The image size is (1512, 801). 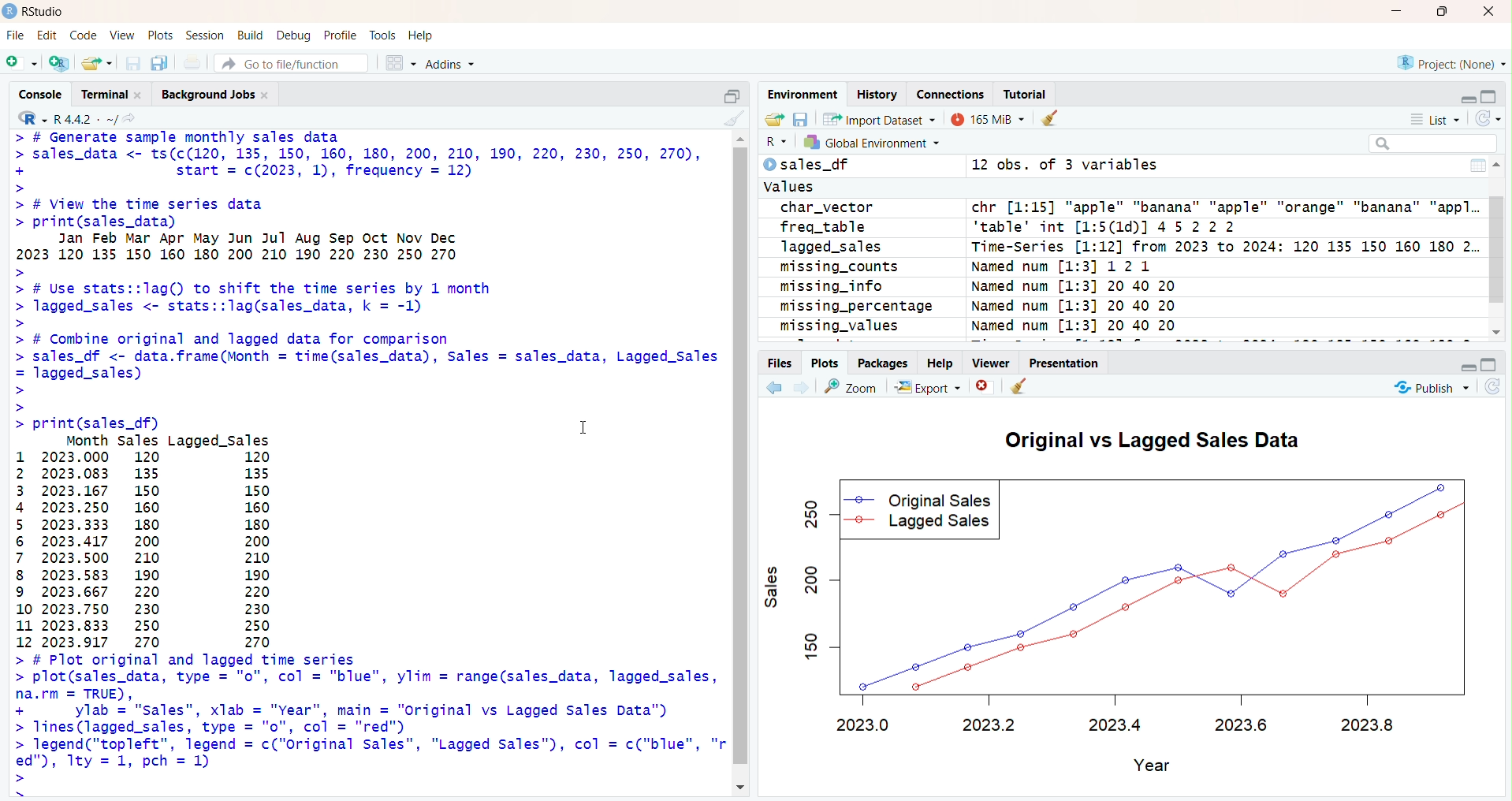 What do you see at coordinates (61, 63) in the screenshot?
I see `create a new project` at bounding box center [61, 63].